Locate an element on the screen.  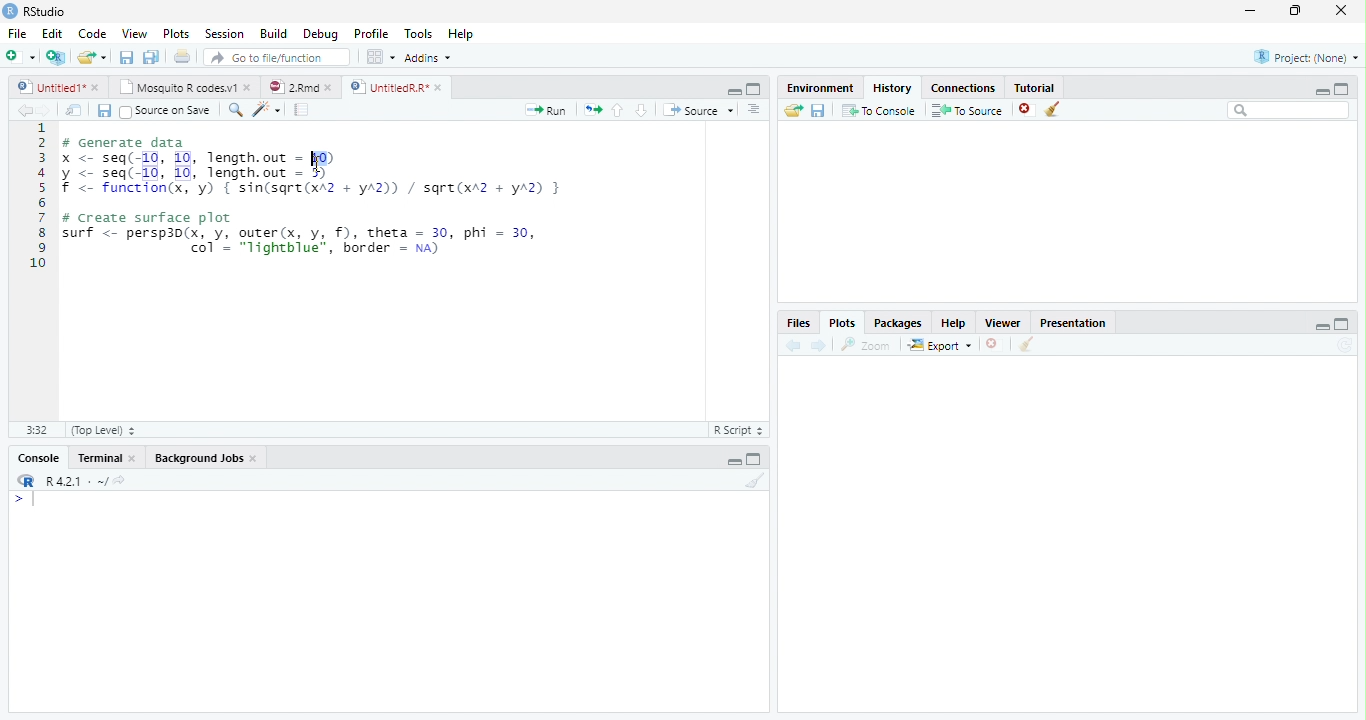
Remove the selected history entries is located at coordinates (1026, 110).